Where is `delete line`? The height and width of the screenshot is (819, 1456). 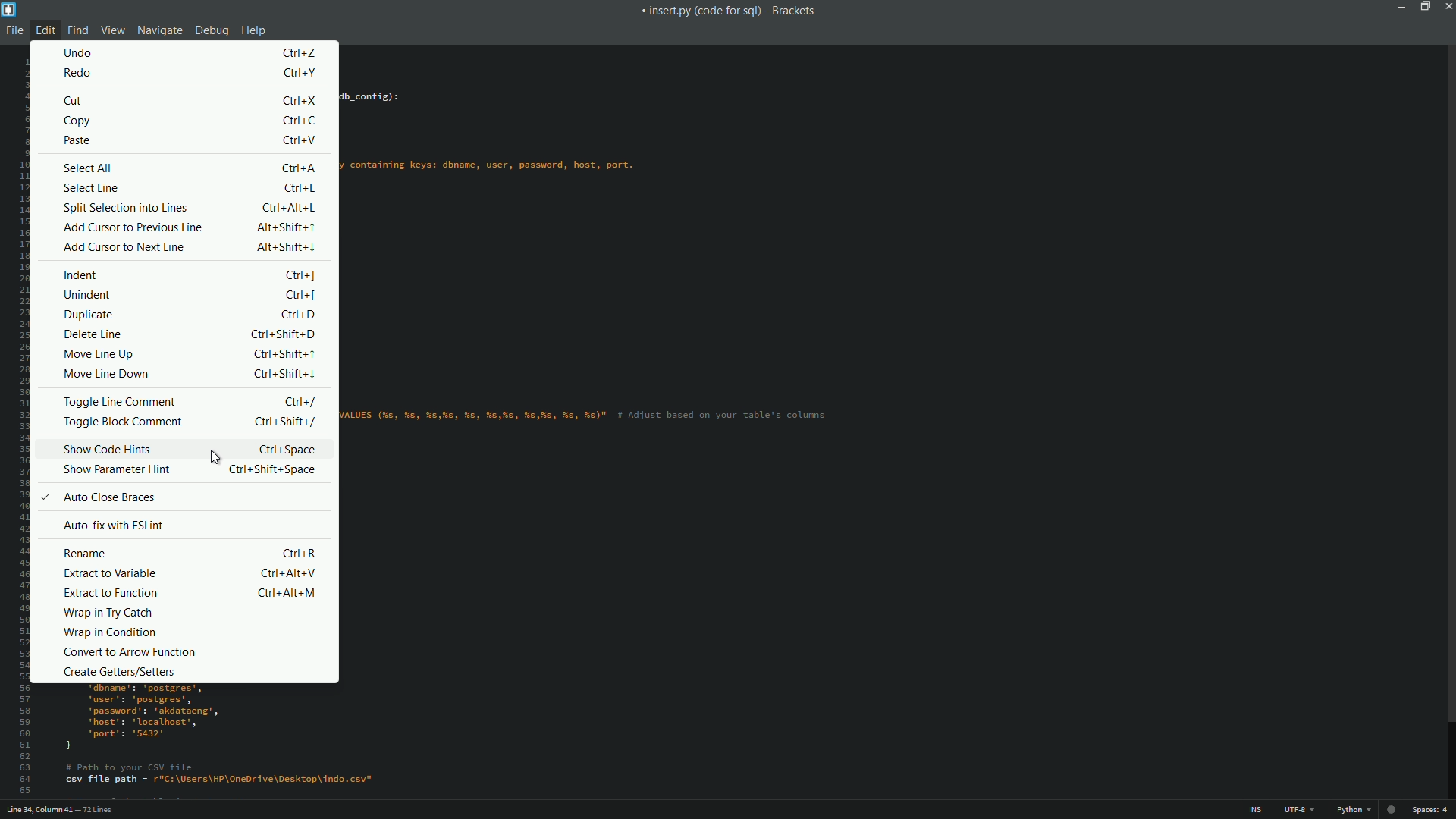 delete line is located at coordinates (93, 334).